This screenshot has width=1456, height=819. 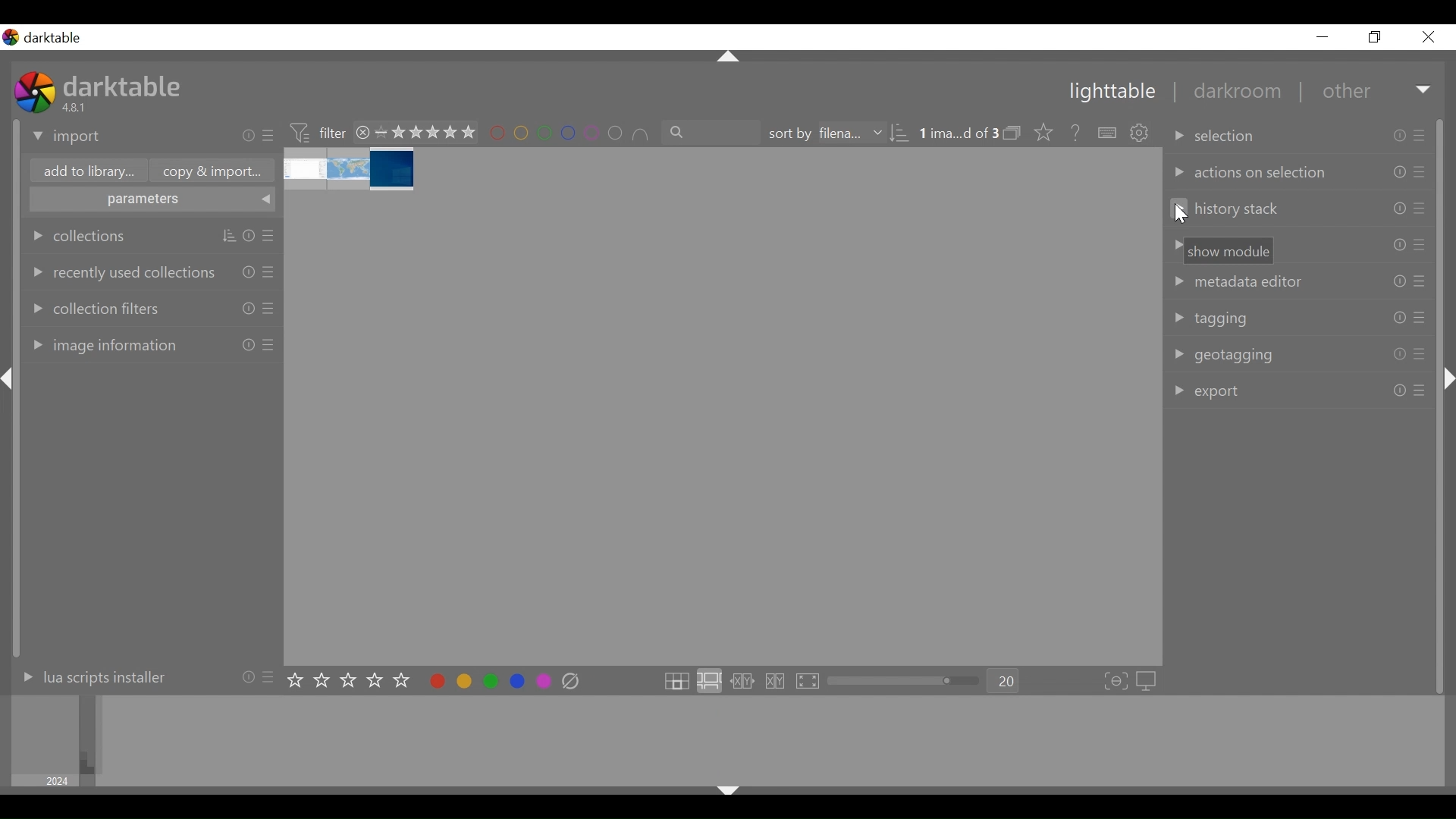 What do you see at coordinates (121, 271) in the screenshot?
I see `recently used collections` at bounding box center [121, 271].